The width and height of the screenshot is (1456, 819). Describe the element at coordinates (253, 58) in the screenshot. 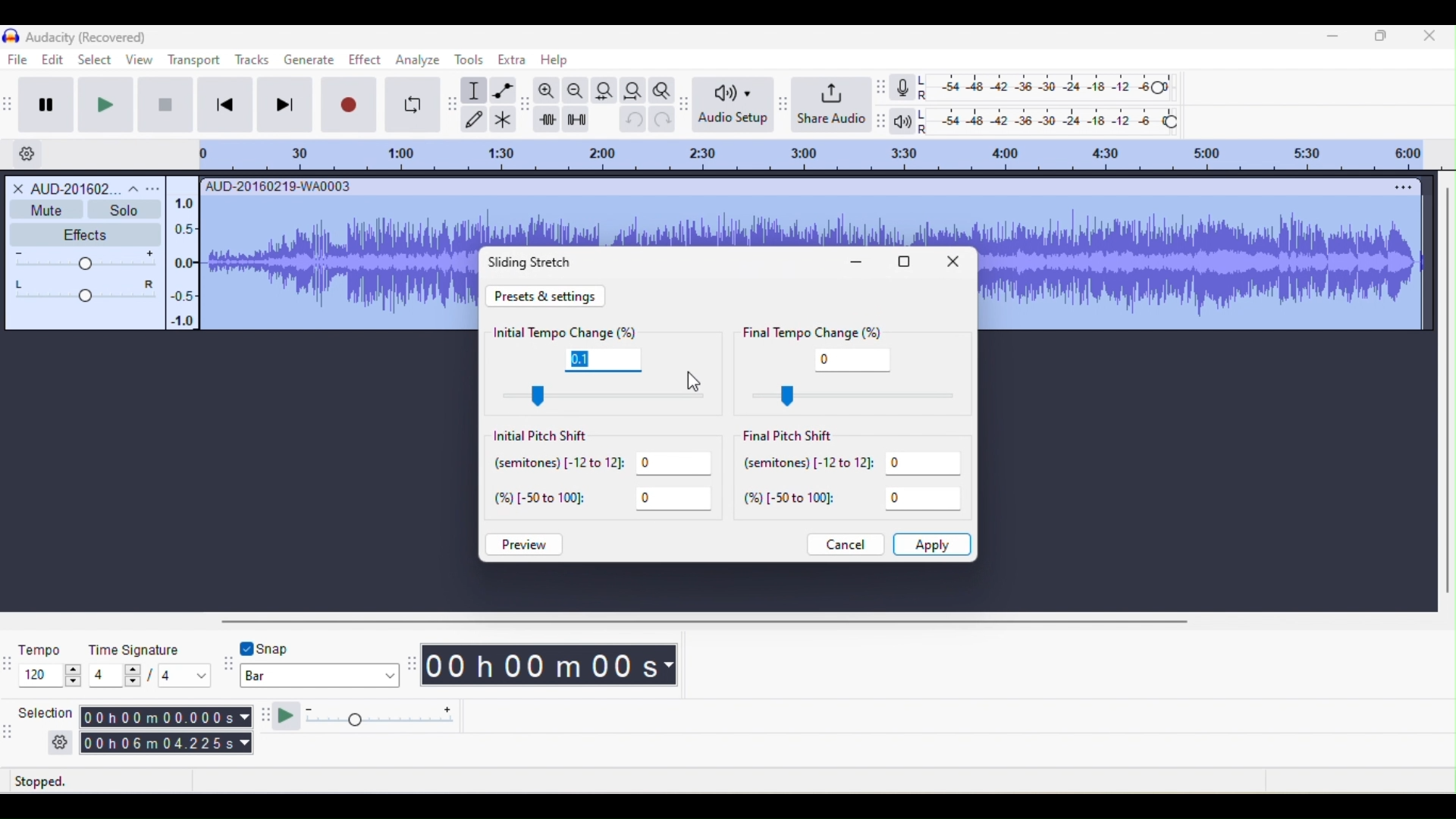

I see `Tracks` at that location.